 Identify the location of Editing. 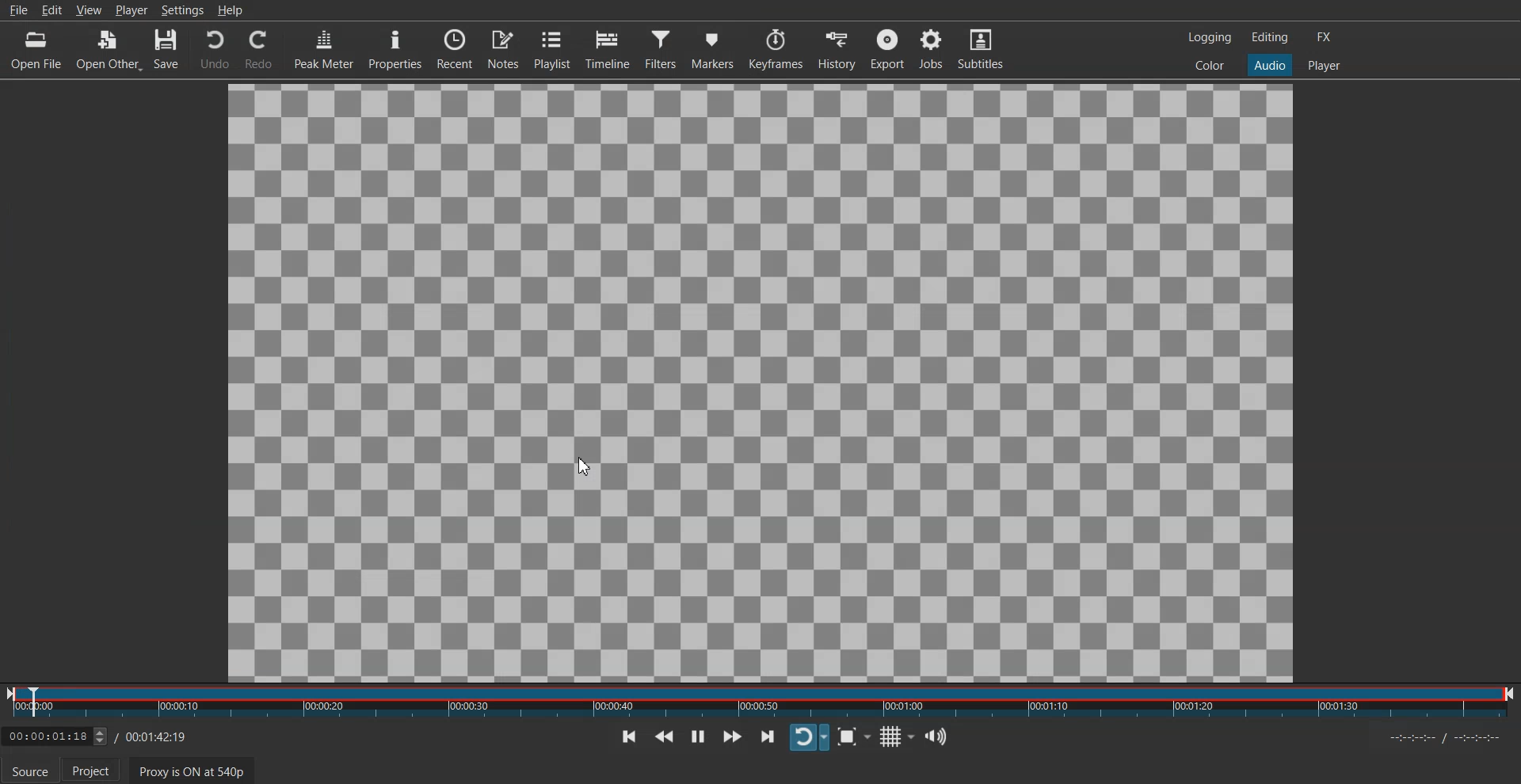
(1270, 37).